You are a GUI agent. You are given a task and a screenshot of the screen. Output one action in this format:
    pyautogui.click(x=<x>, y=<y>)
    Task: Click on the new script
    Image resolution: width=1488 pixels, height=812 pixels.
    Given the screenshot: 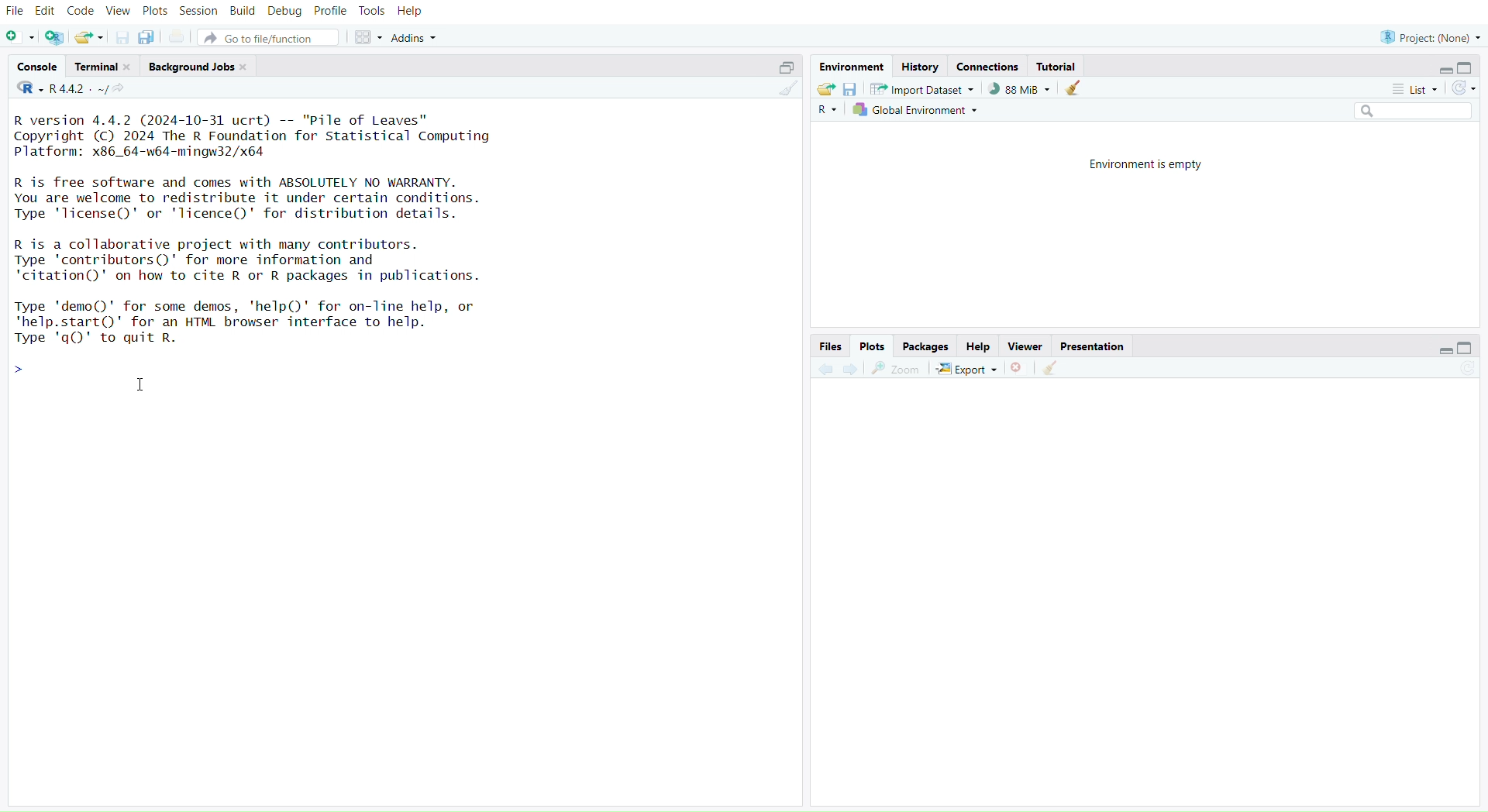 What is the action you would take?
    pyautogui.click(x=21, y=38)
    